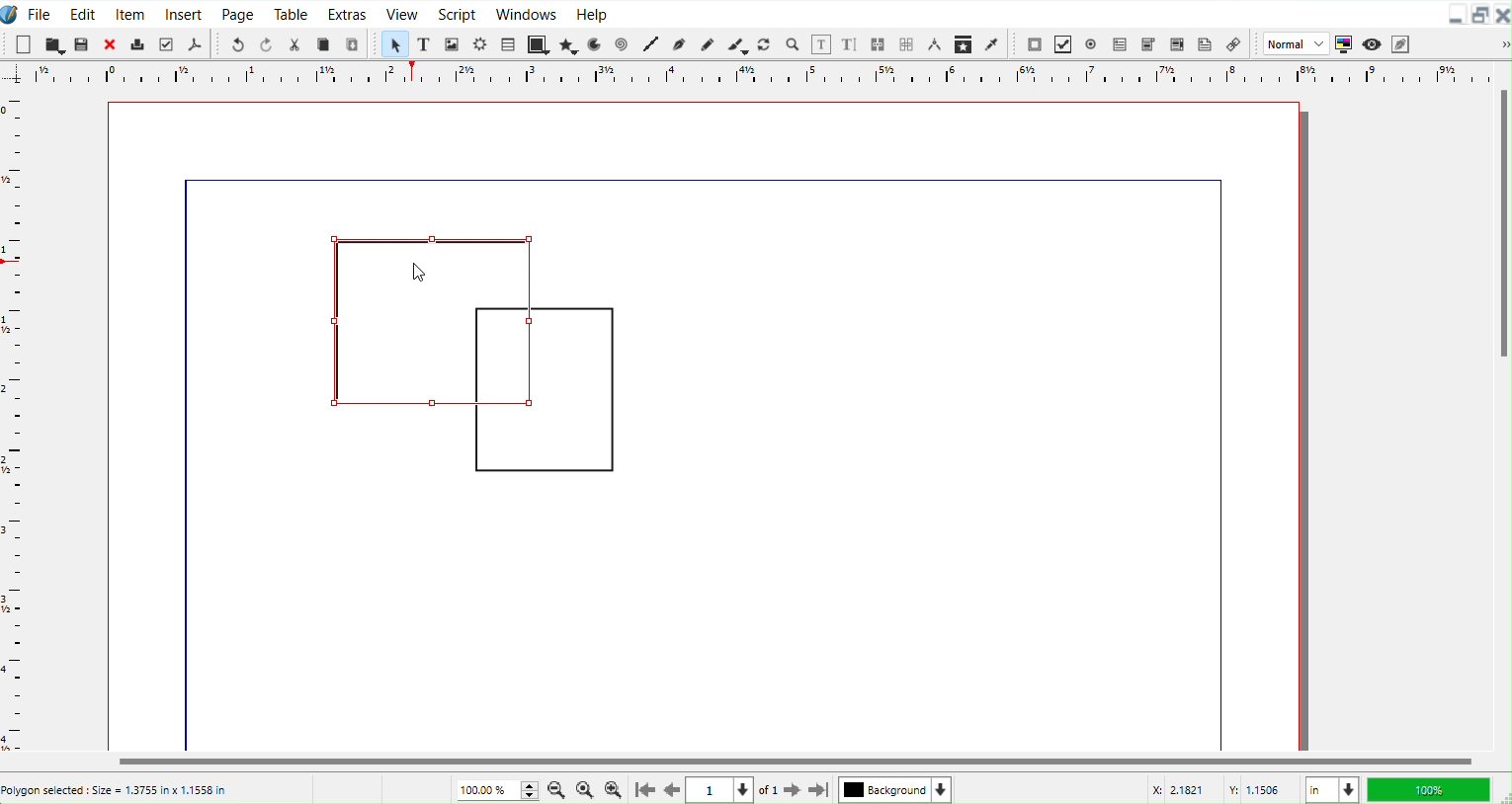 This screenshot has width=1512, height=804. Describe the element at coordinates (557, 789) in the screenshot. I see `Zoom Out` at that location.